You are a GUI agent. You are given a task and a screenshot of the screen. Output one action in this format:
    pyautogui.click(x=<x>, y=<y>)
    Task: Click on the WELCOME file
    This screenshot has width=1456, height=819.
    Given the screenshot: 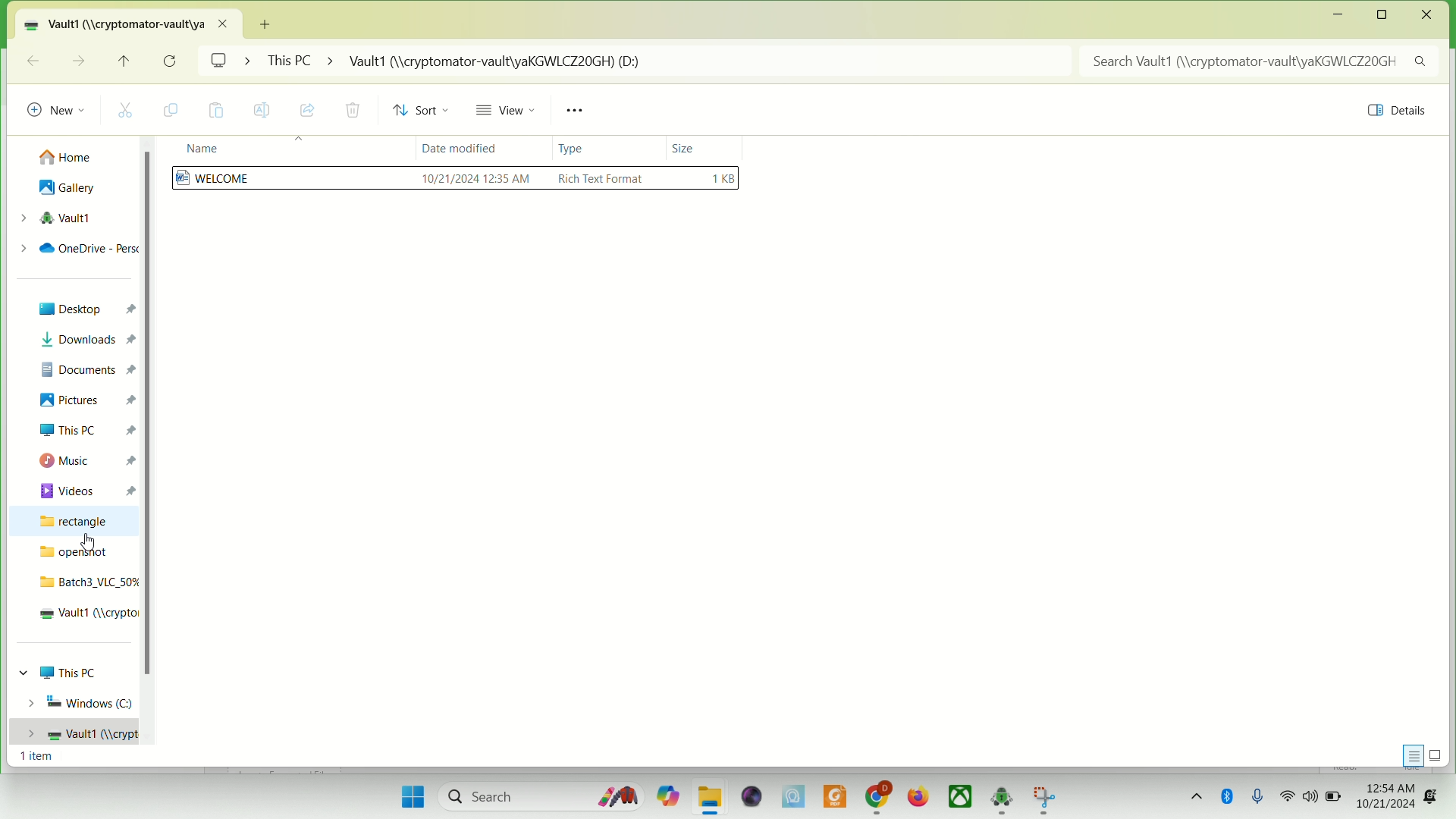 What is the action you would take?
    pyautogui.click(x=457, y=181)
    